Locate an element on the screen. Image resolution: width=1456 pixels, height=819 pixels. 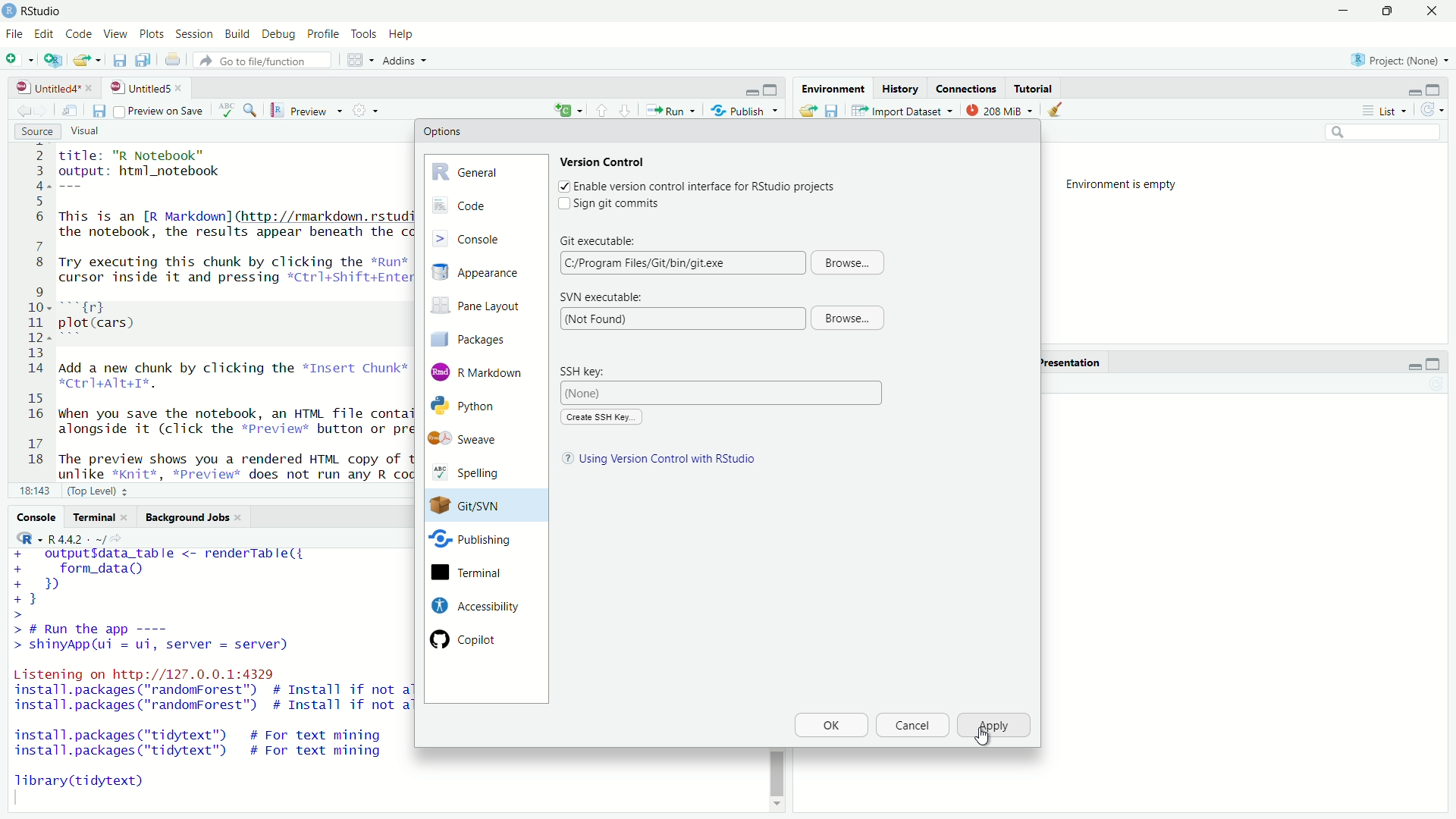
vertical scrollbar is located at coordinates (777, 773).